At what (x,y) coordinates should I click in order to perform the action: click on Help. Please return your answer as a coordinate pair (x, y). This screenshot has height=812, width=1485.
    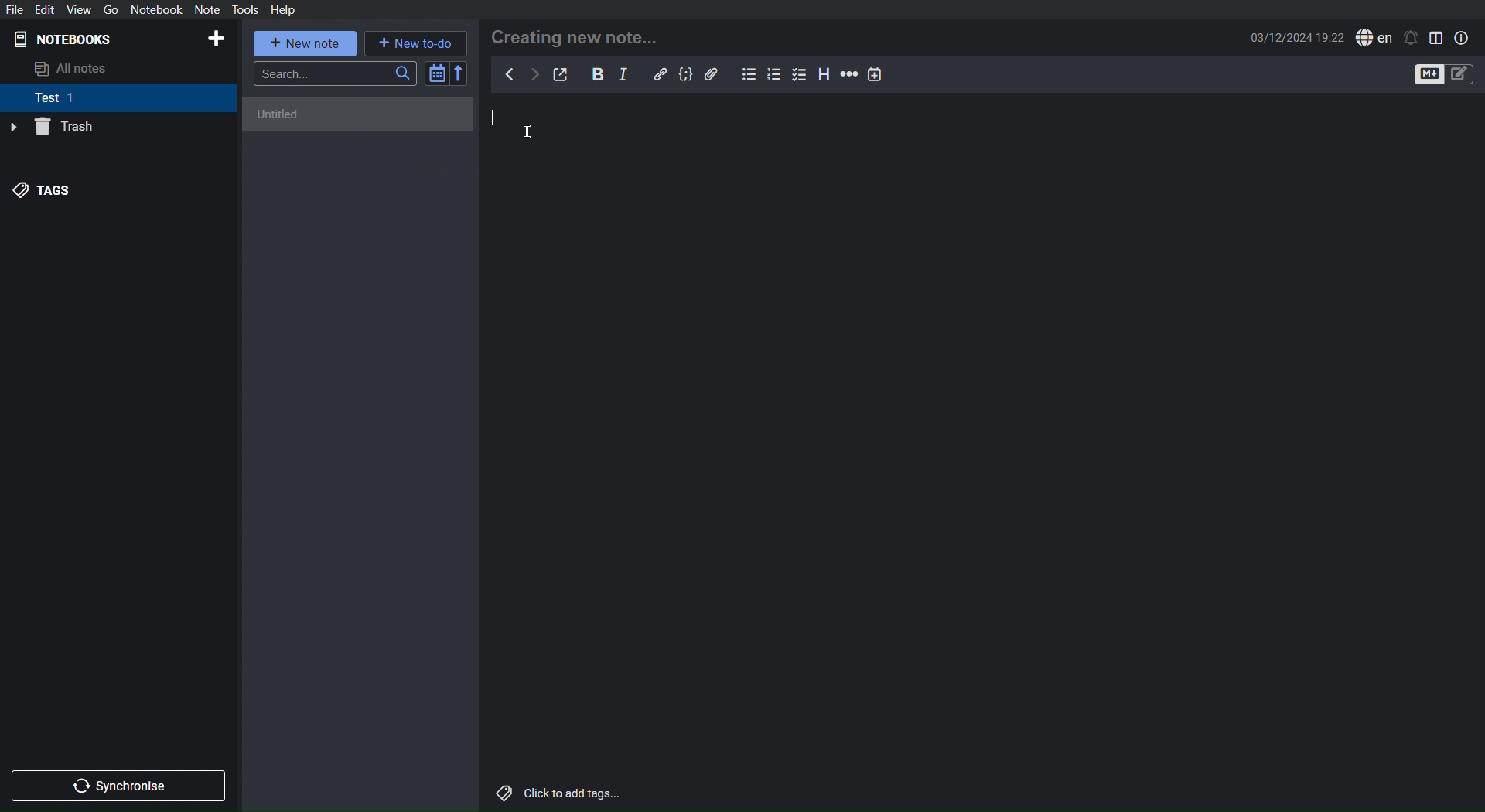
    Looking at the image, I should click on (285, 10).